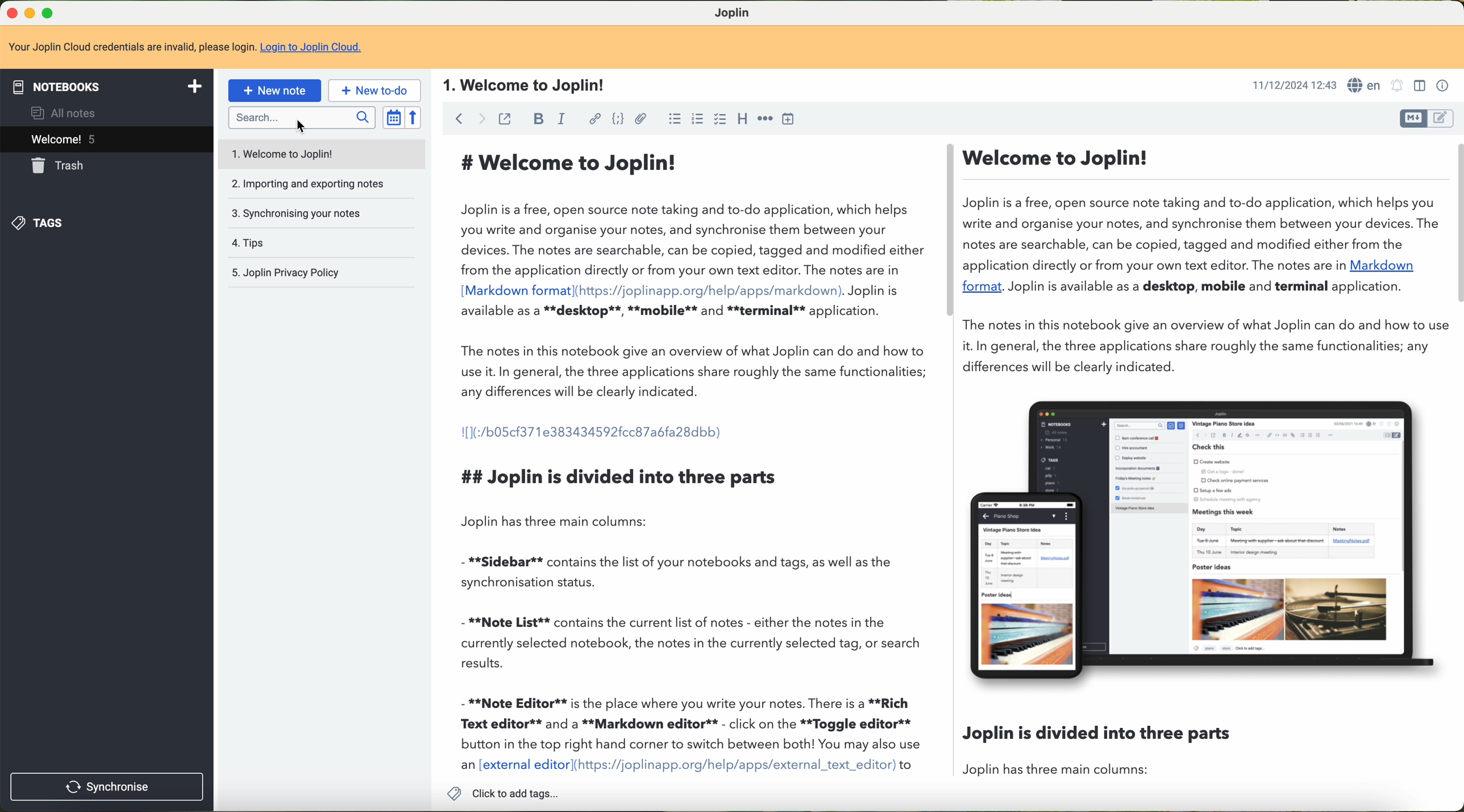  What do you see at coordinates (1203, 262) in the screenshot?
I see `.
Welcome to Joplin!
Joplin is a free, open source note taking and to-do application, which helps you
write and organise your notes, and synchronise them between your devices. The
notes are searchable, can be copied, tagged and modified either from the
application directly or from your own text editor. The notes are in Markdown
format. Joplin is available as a desktop, mobile and terminal application.
The notes in this notebook give an overview of what Joplin can do and how to us
it. In general, the three applications share roughly the same functionalities; any
differences will be clearly indicated.` at bounding box center [1203, 262].